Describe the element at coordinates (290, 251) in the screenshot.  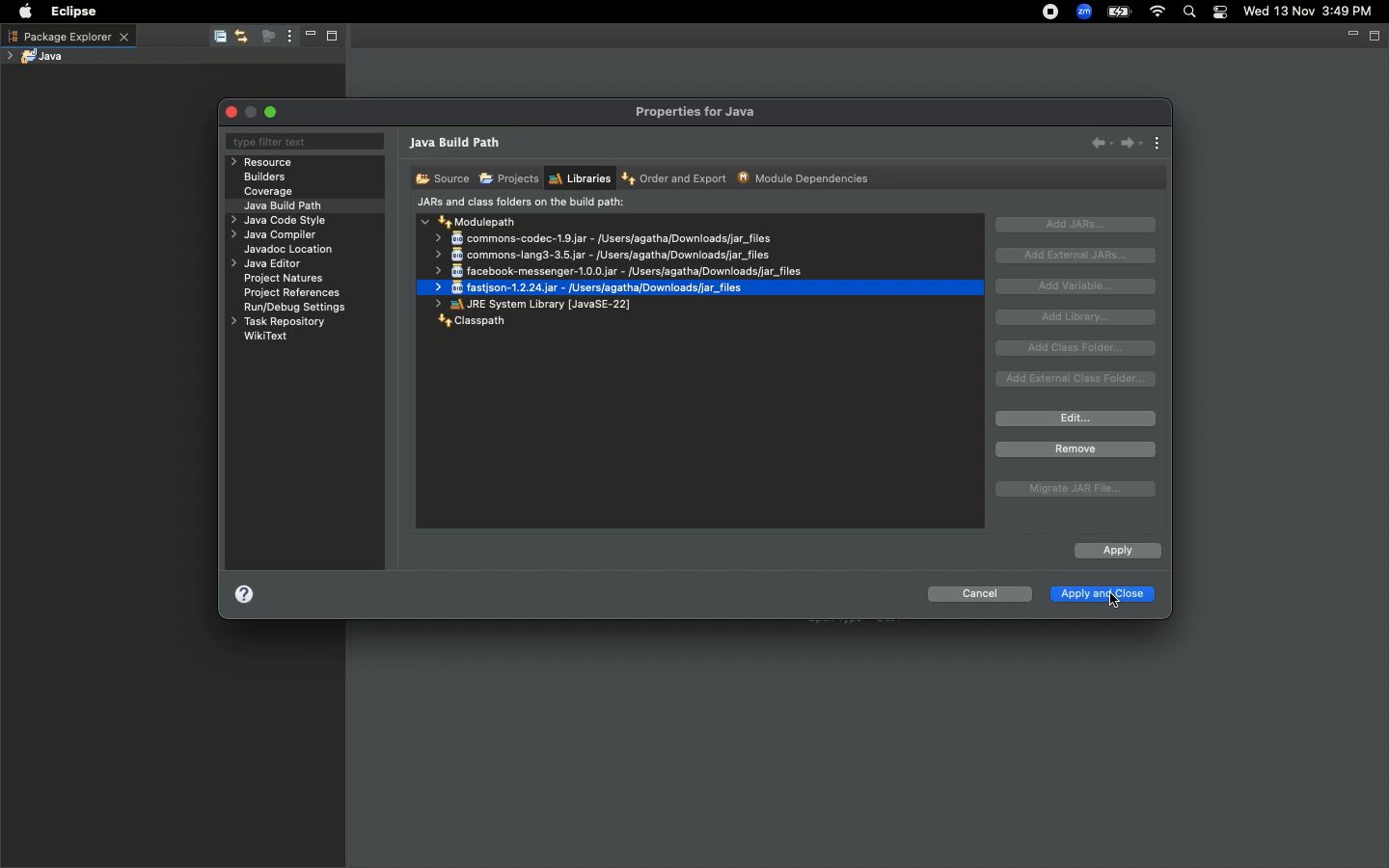
I see `Javadoc location` at that location.